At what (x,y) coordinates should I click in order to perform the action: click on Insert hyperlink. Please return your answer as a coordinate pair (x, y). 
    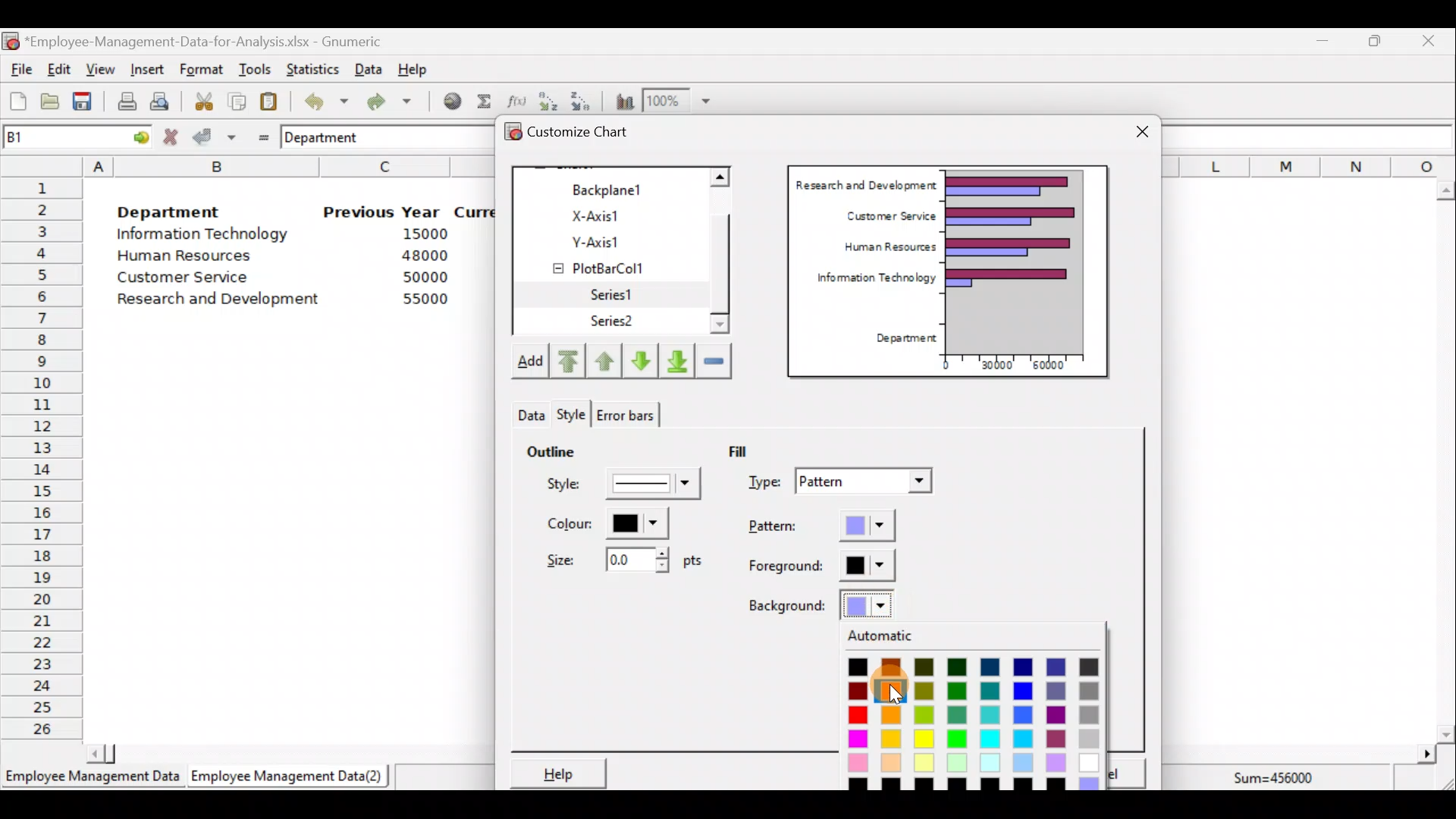
    Looking at the image, I should click on (447, 100).